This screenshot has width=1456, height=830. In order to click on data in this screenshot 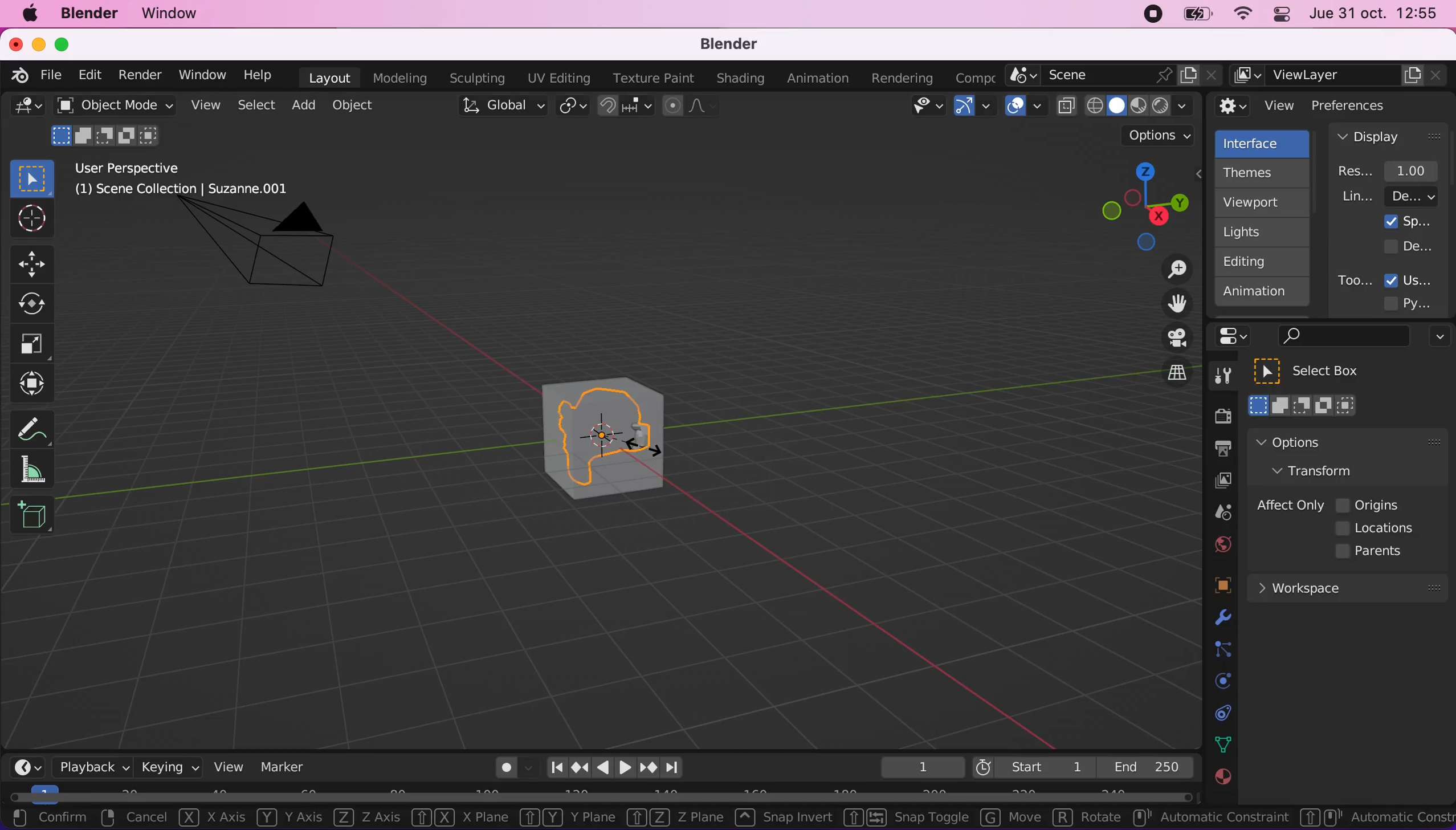, I will do `click(1220, 743)`.